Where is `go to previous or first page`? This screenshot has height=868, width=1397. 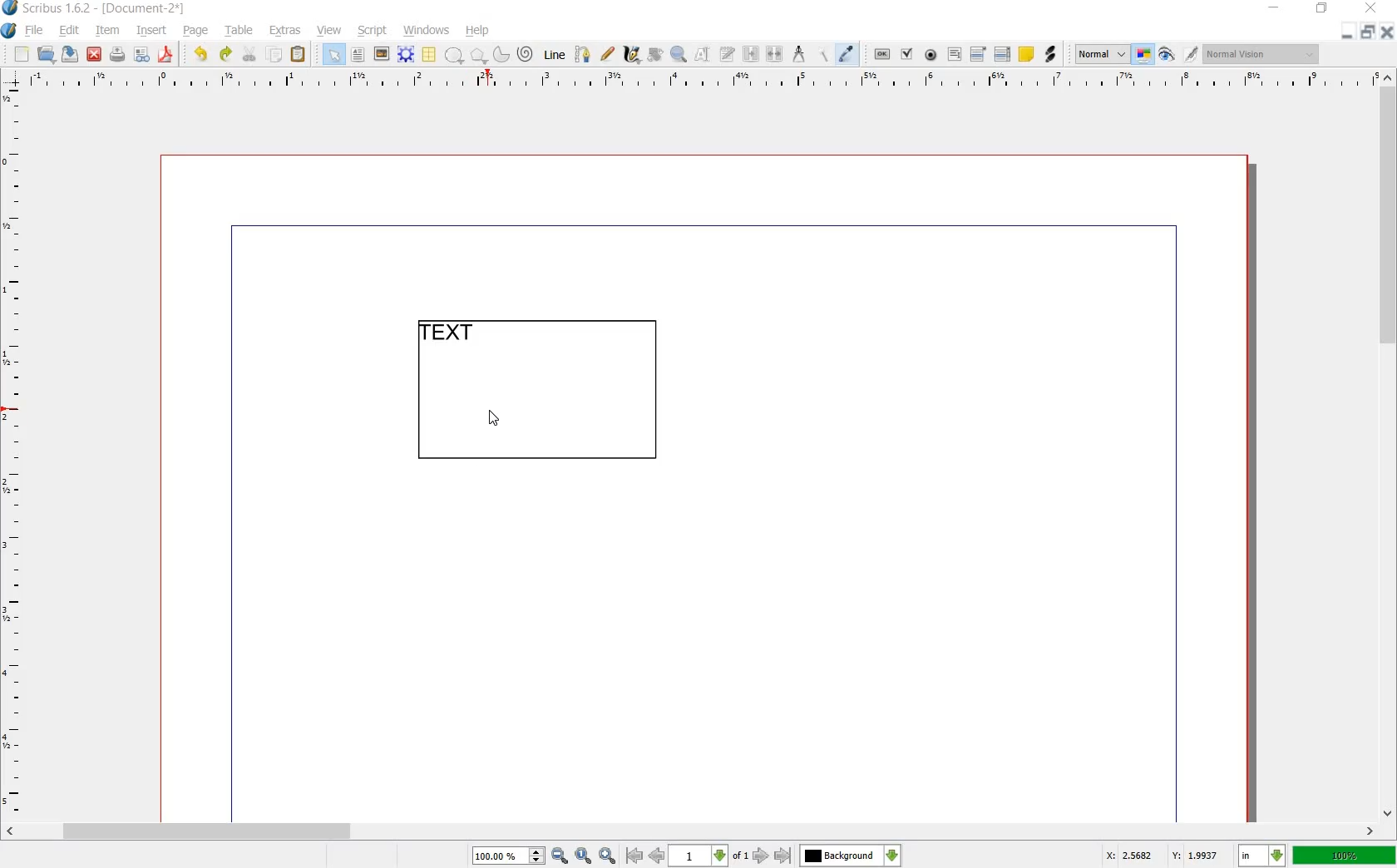
go to previous or first page is located at coordinates (644, 856).